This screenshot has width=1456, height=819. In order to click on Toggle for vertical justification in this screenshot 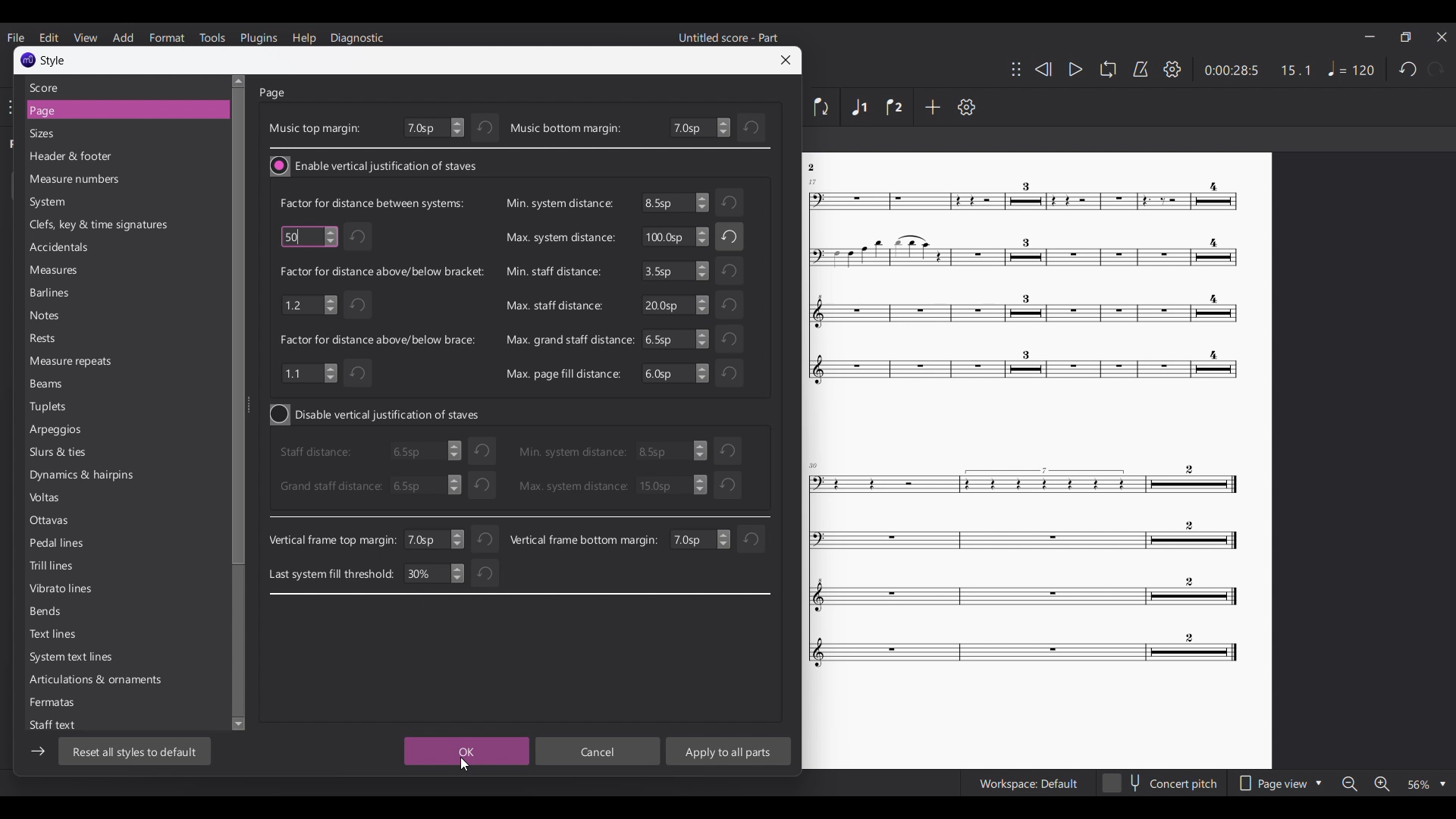, I will do `click(375, 166)`.